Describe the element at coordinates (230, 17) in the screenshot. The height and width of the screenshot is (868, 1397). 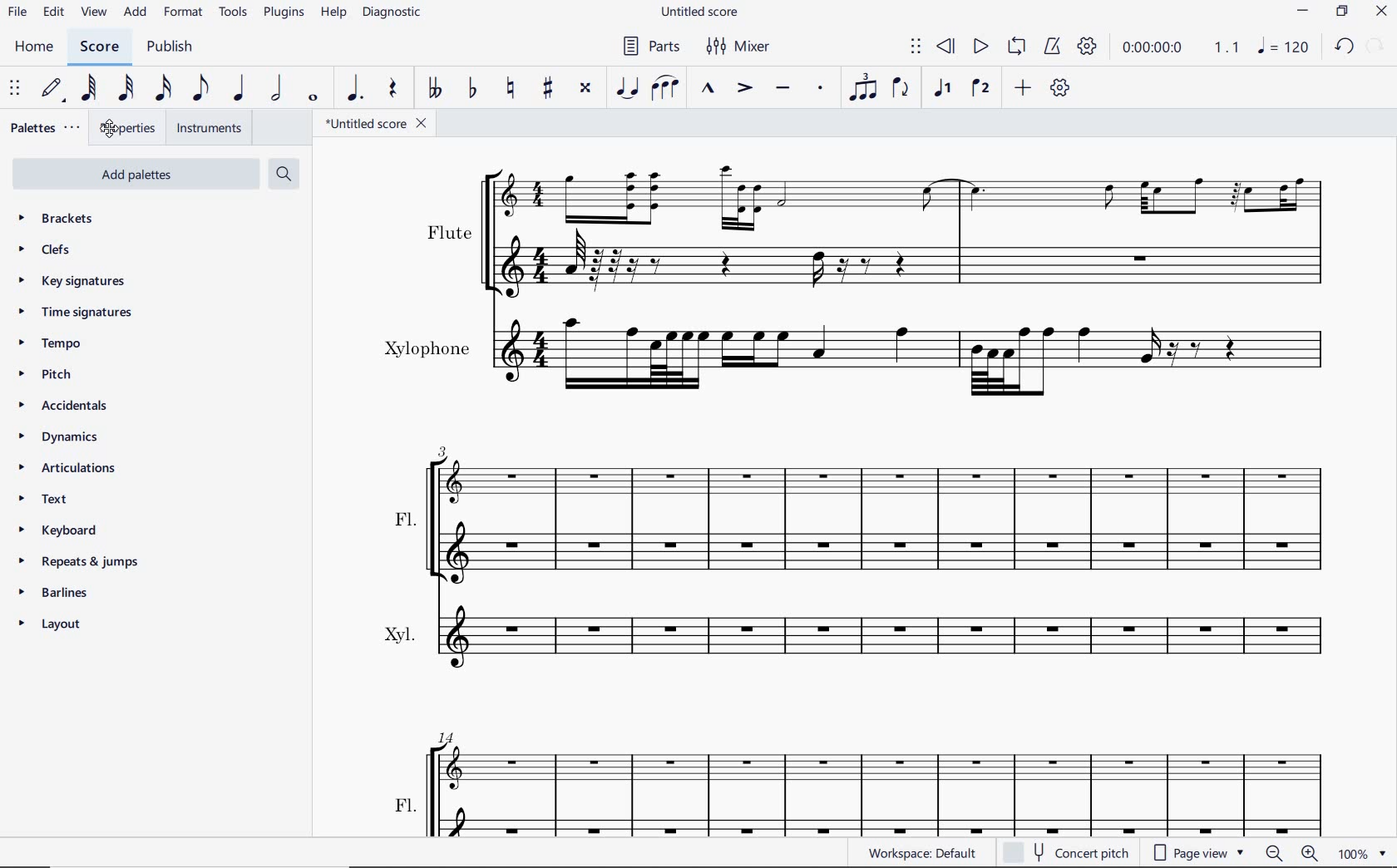
I see `TOOLS` at that location.